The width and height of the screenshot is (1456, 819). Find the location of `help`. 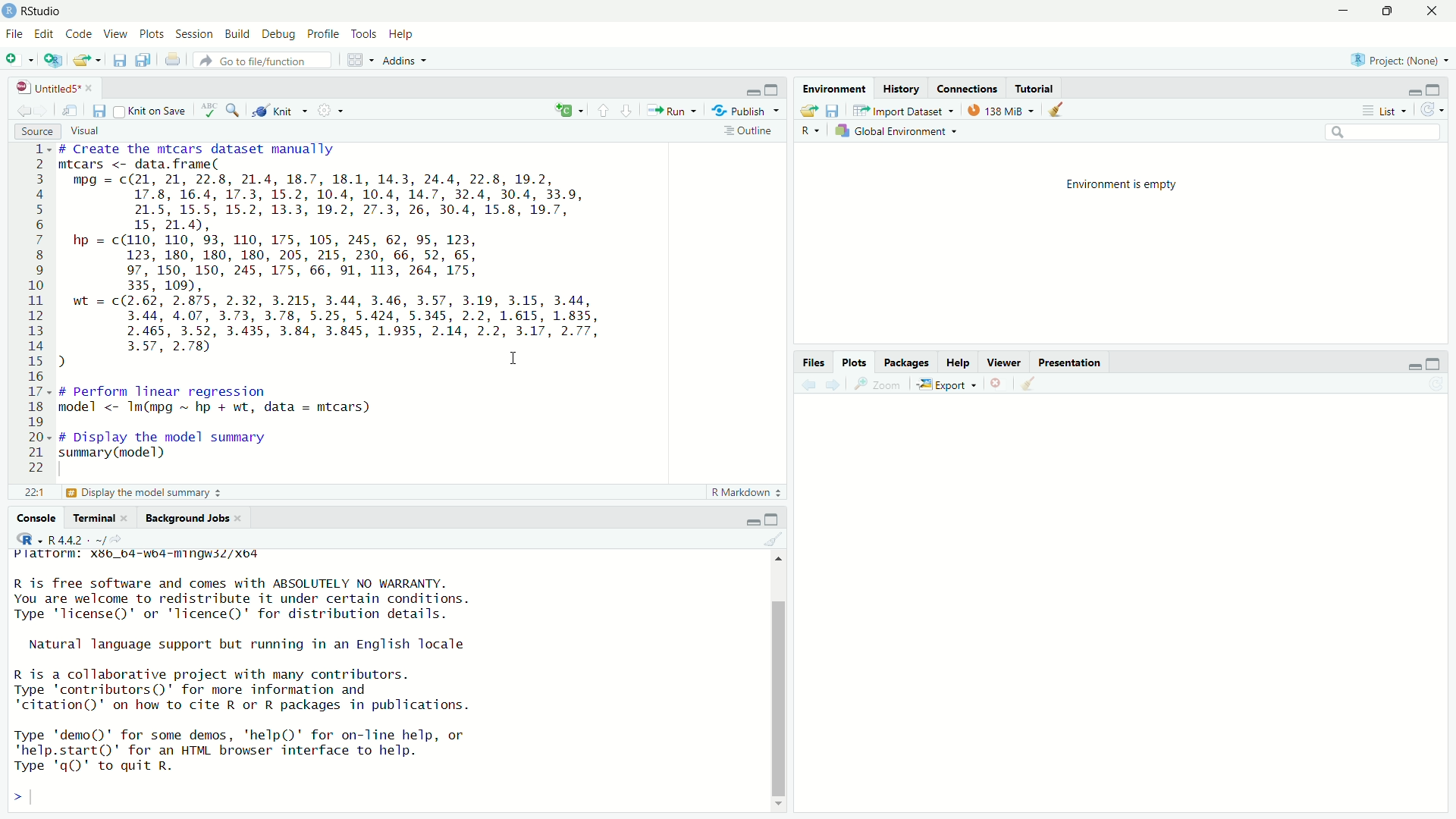

help is located at coordinates (403, 35).